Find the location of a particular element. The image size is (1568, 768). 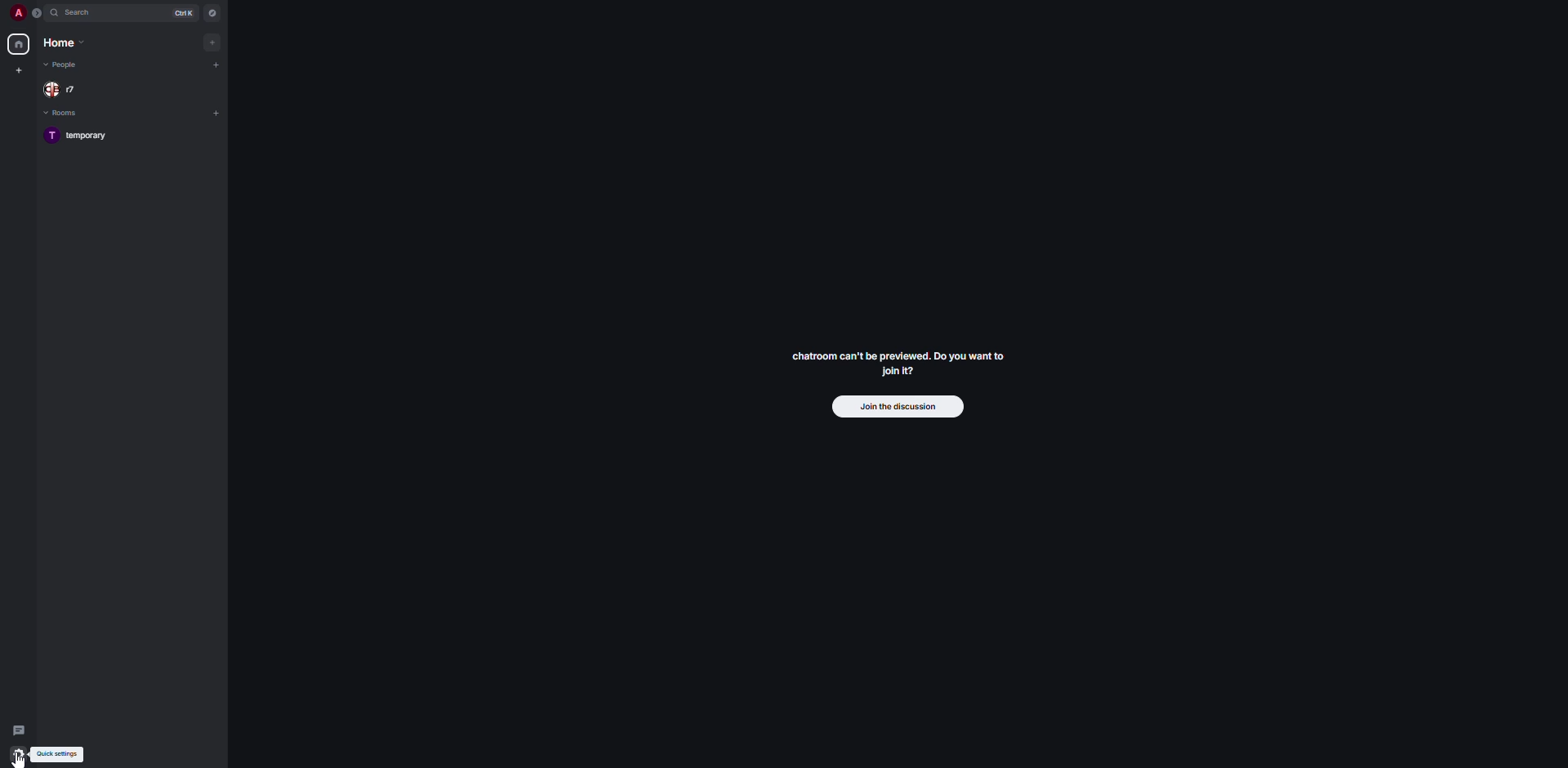

navigator is located at coordinates (213, 12).